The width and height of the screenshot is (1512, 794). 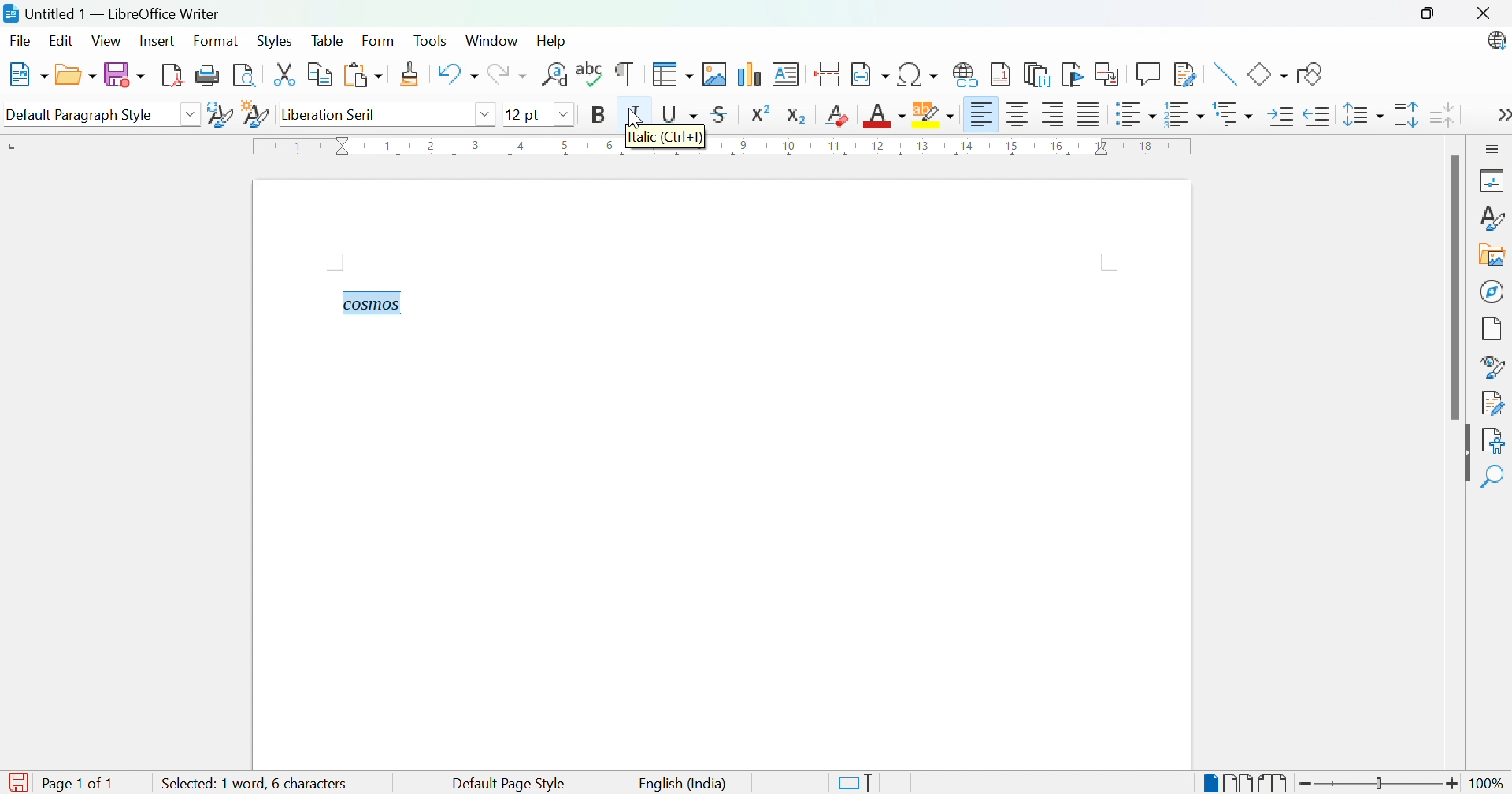 I want to click on Multiple-page view, so click(x=1240, y=783).